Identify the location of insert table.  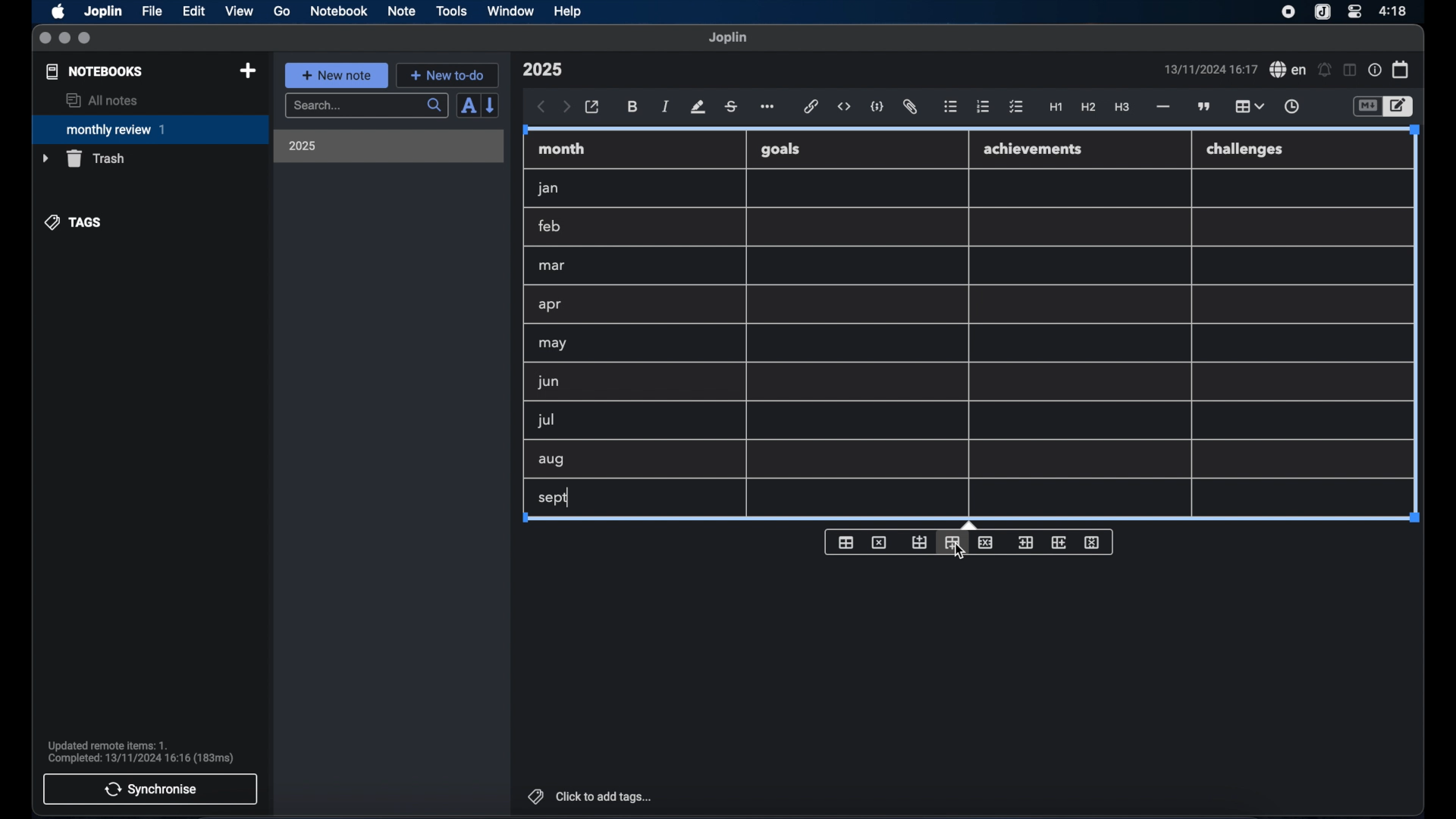
(846, 542).